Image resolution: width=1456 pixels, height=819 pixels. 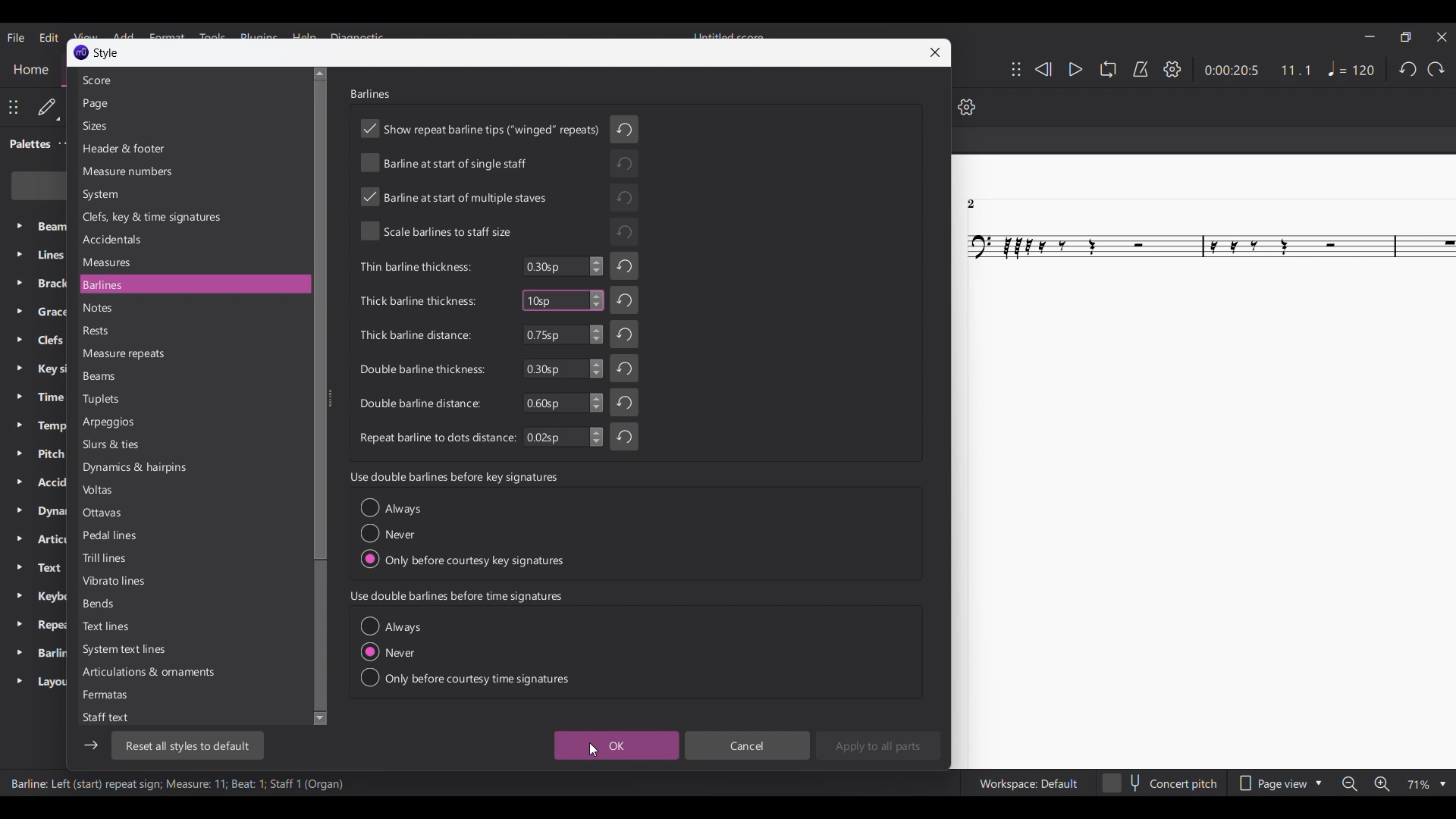 What do you see at coordinates (1173, 69) in the screenshot?
I see `Settings` at bounding box center [1173, 69].